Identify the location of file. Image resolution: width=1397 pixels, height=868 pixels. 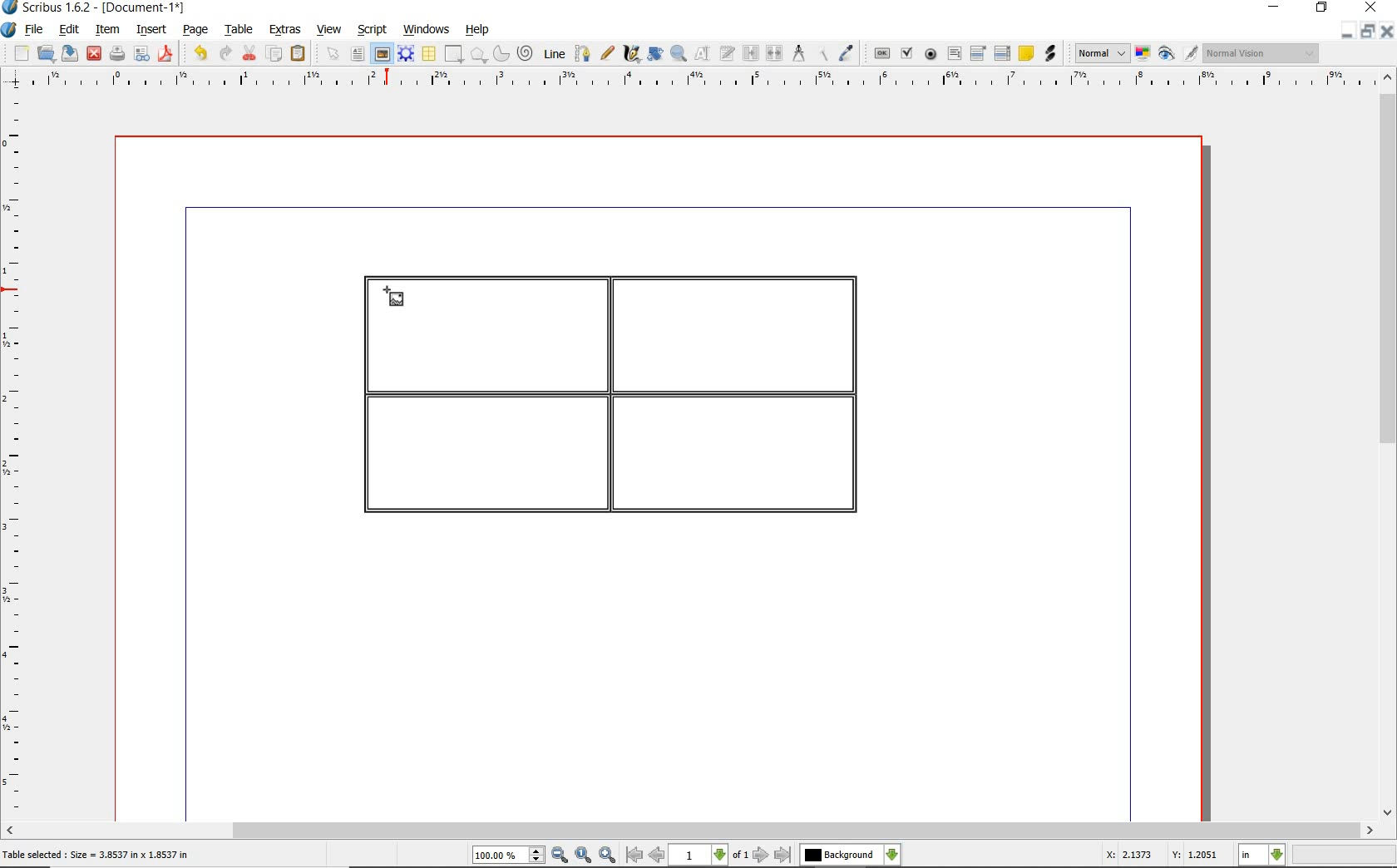
(35, 31).